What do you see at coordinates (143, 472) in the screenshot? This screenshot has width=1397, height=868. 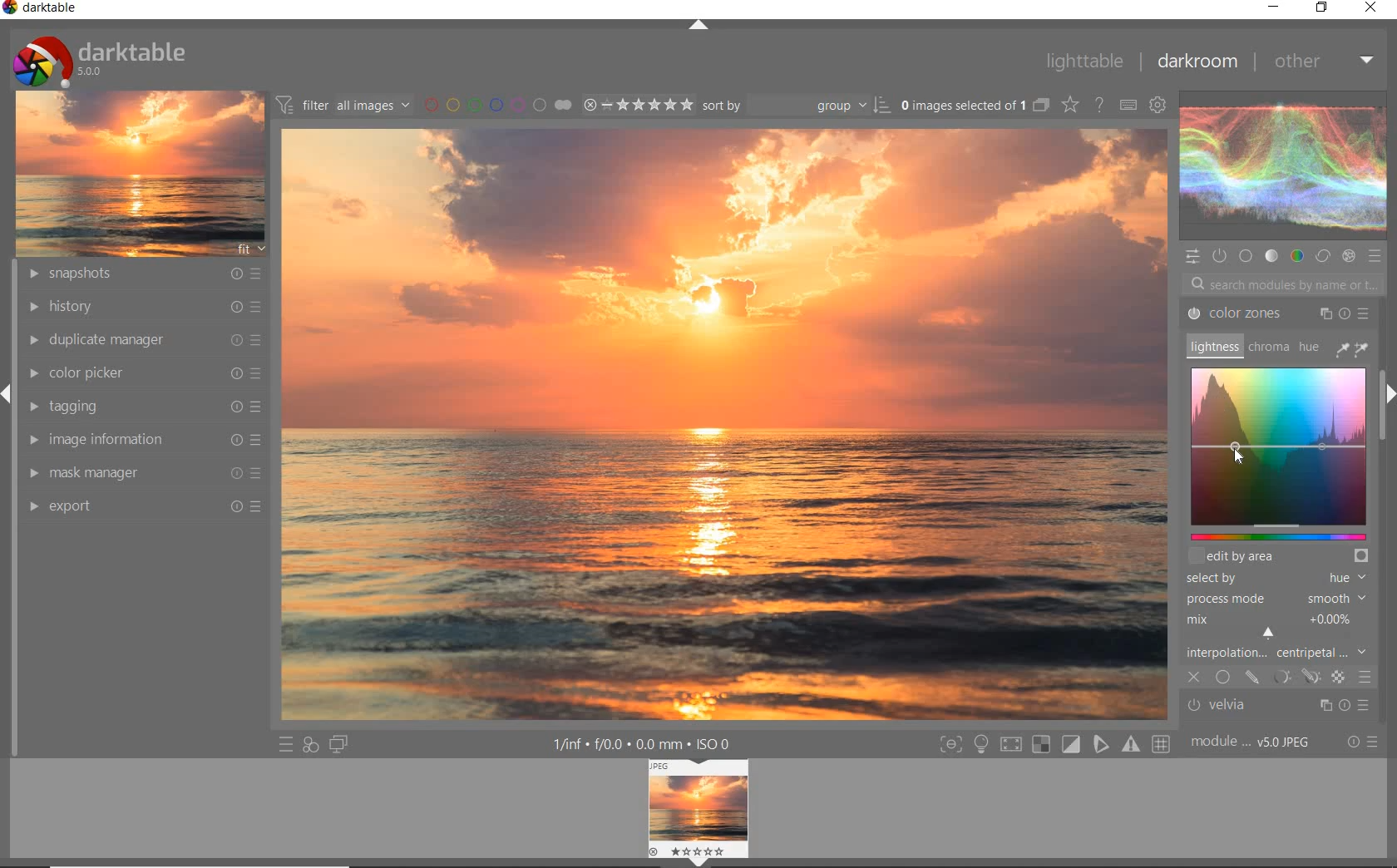 I see `MASK MANAGER` at bounding box center [143, 472].